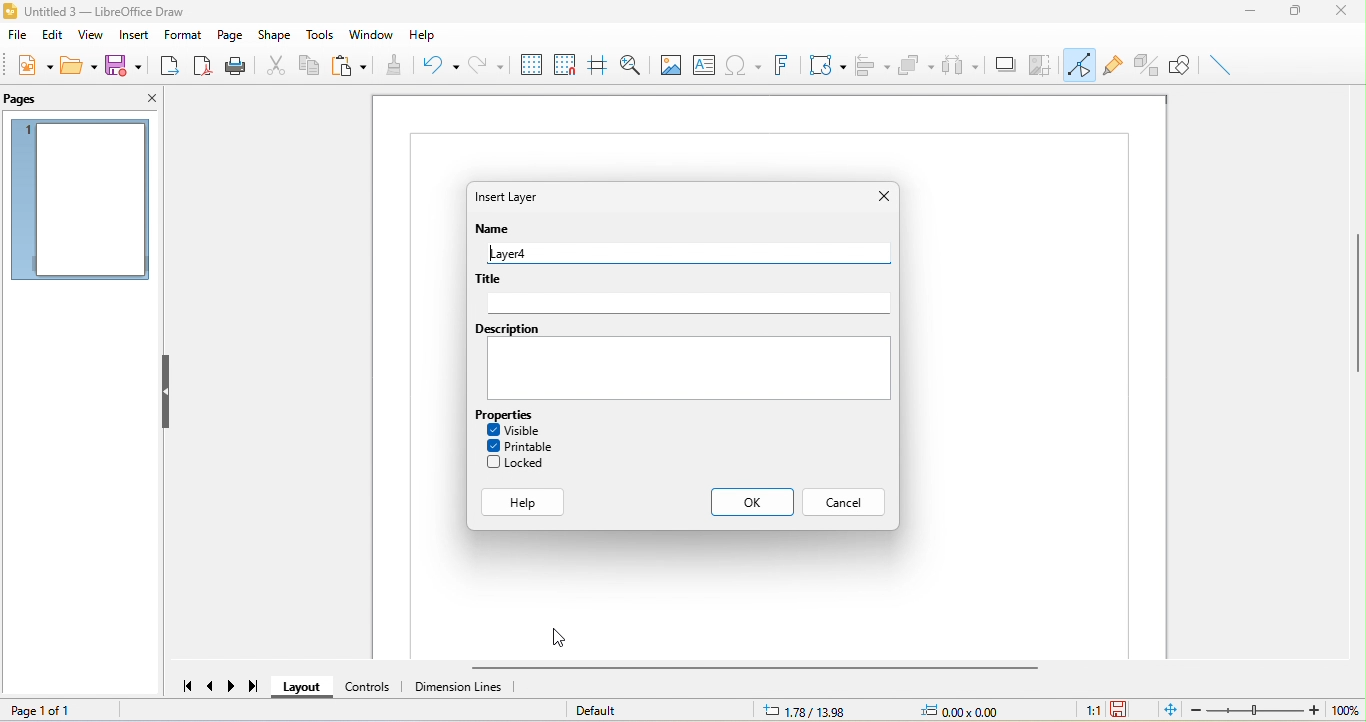  What do you see at coordinates (752, 501) in the screenshot?
I see `Ok` at bounding box center [752, 501].